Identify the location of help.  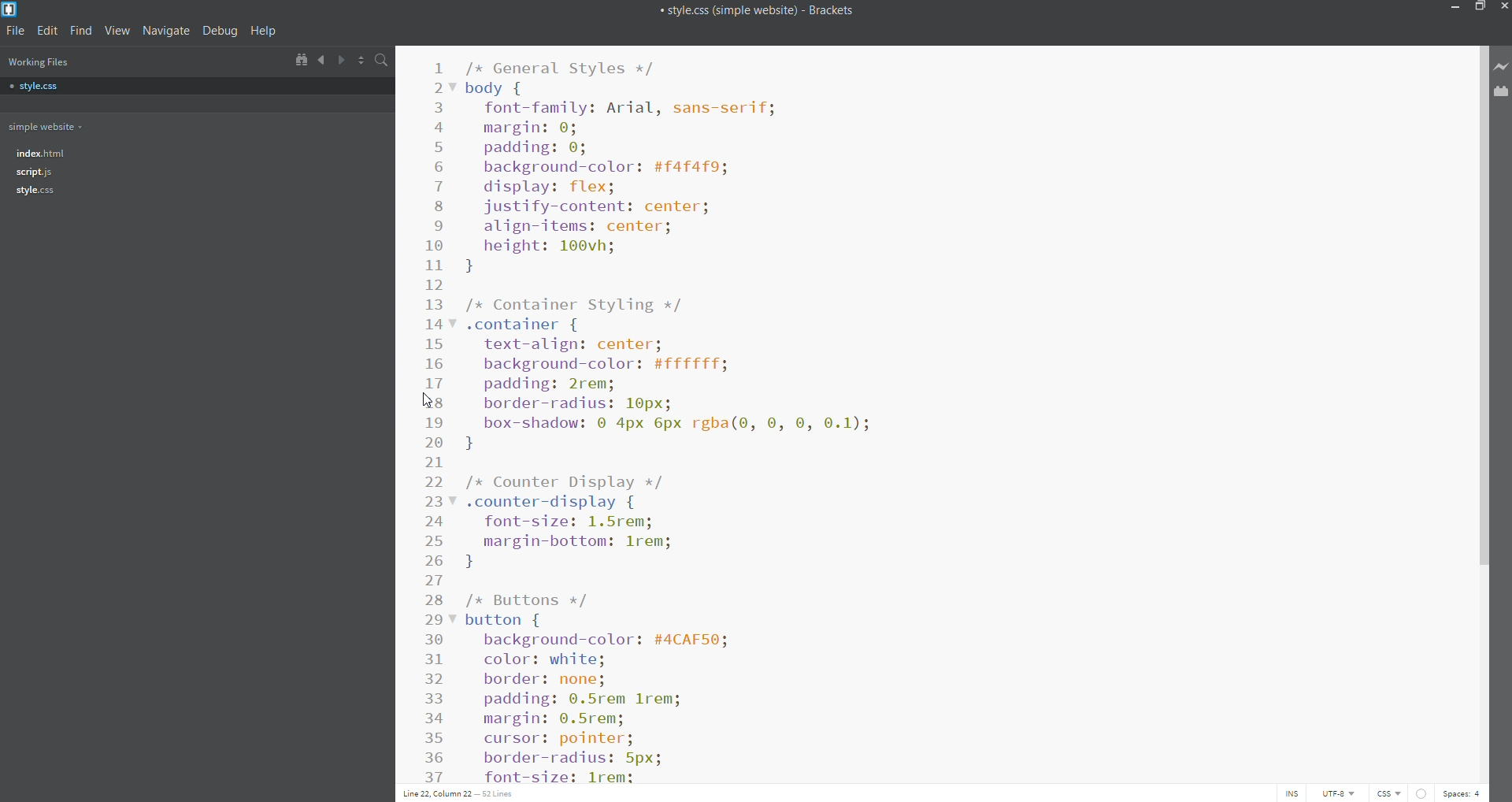
(263, 31).